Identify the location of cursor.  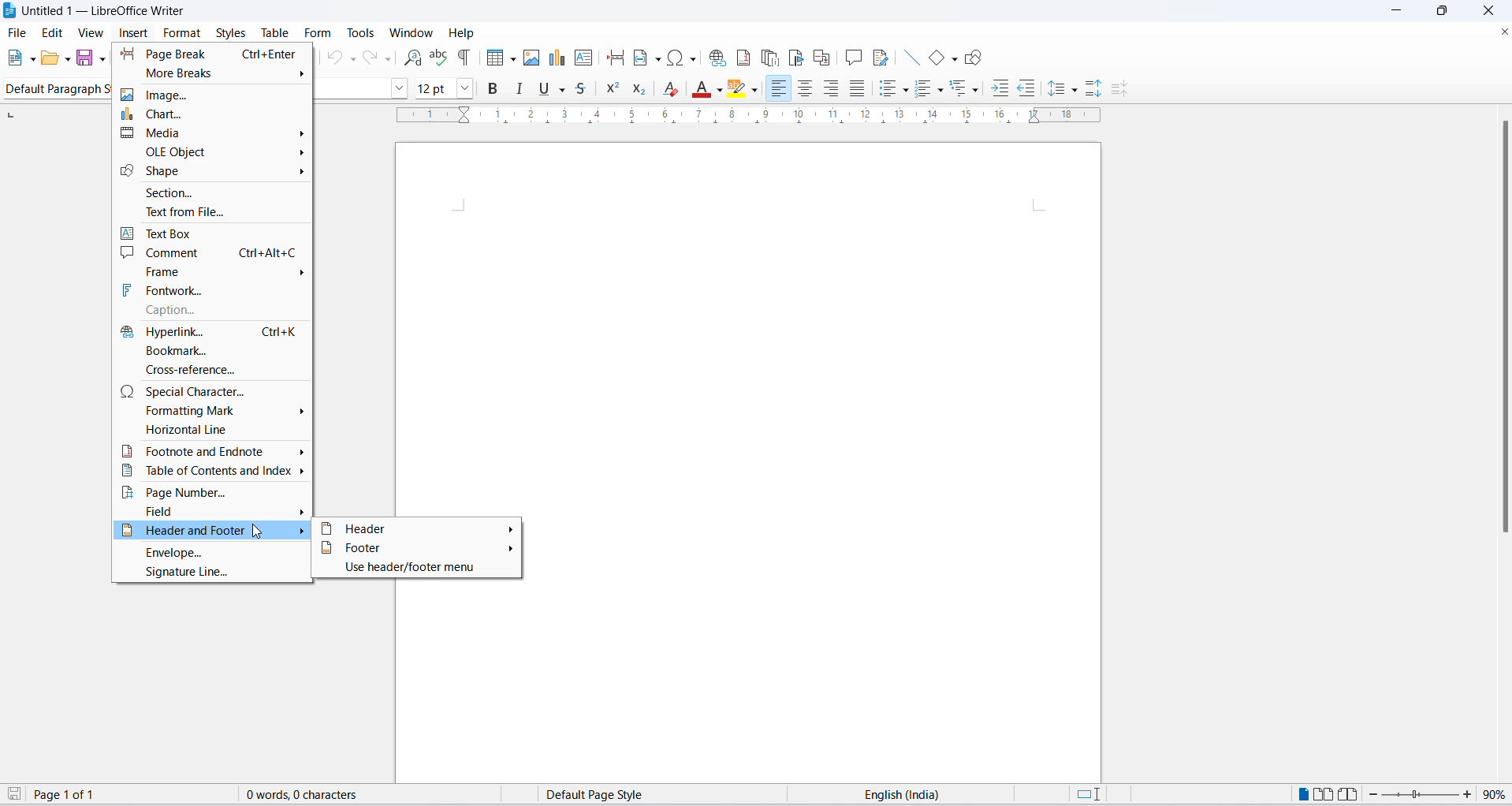
(262, 533).